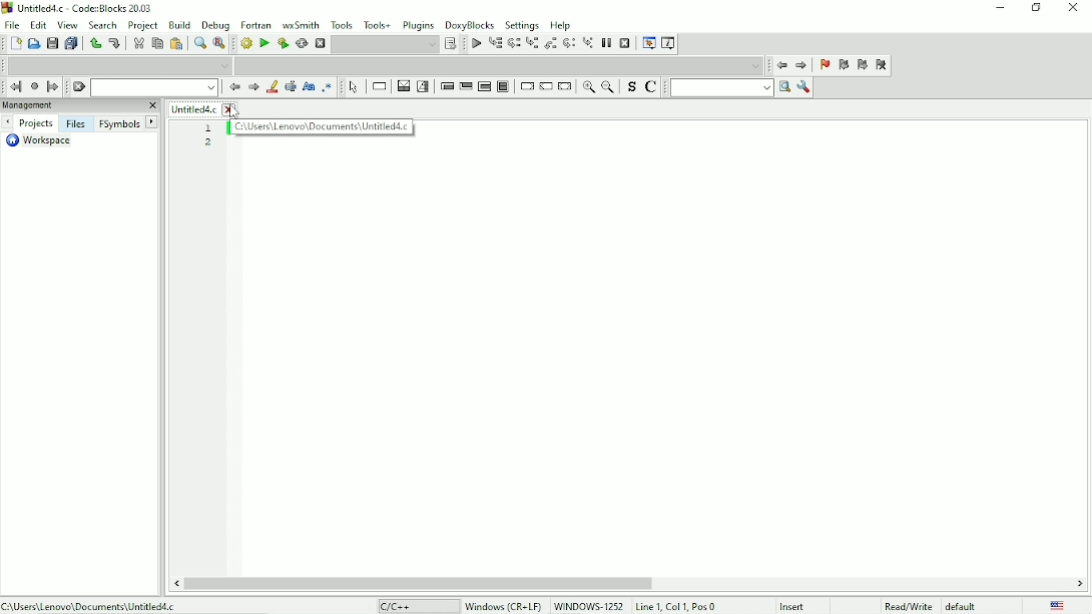  Describe the element at coordinates (94, 42) in the screenshot. I see `Undo` at that location.